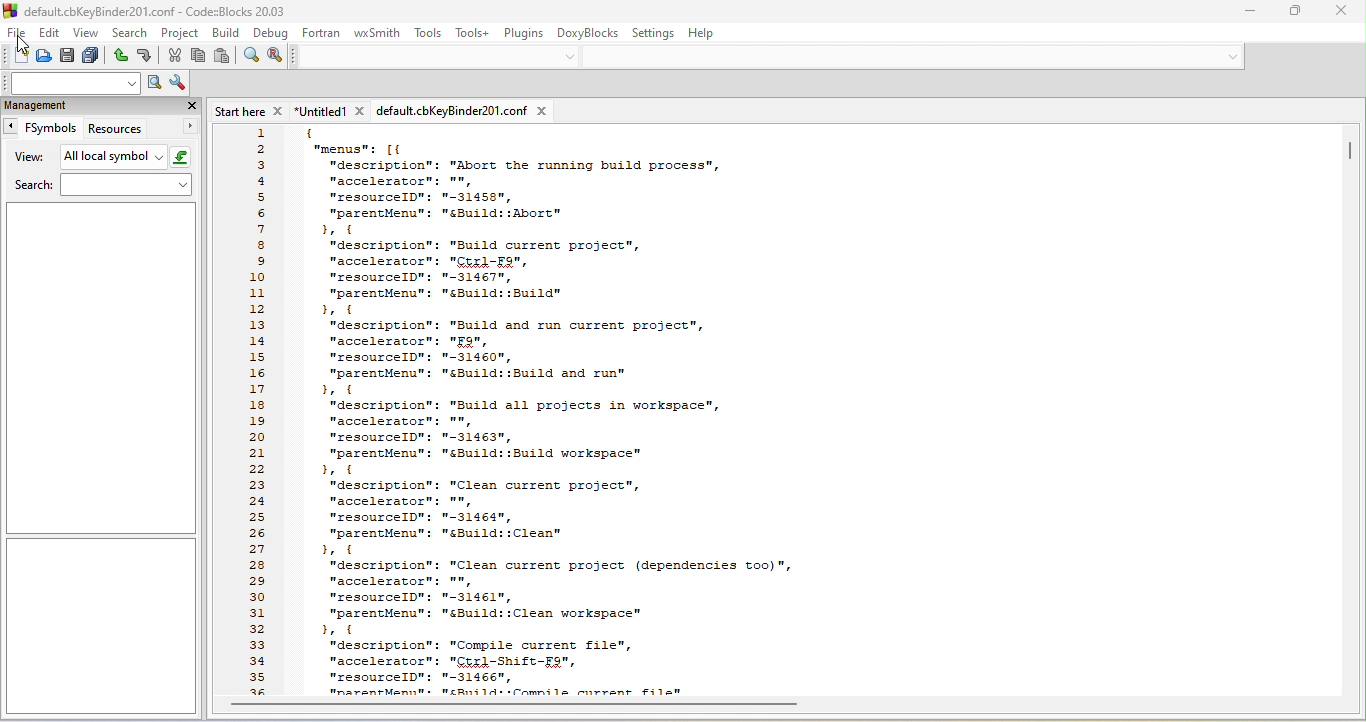 Image resolution: width=1366 pixels, height=722 pixels. What do you see at coordinates (570, 58) in the screenshot?
I see `down` at bounding box center [570, 58].